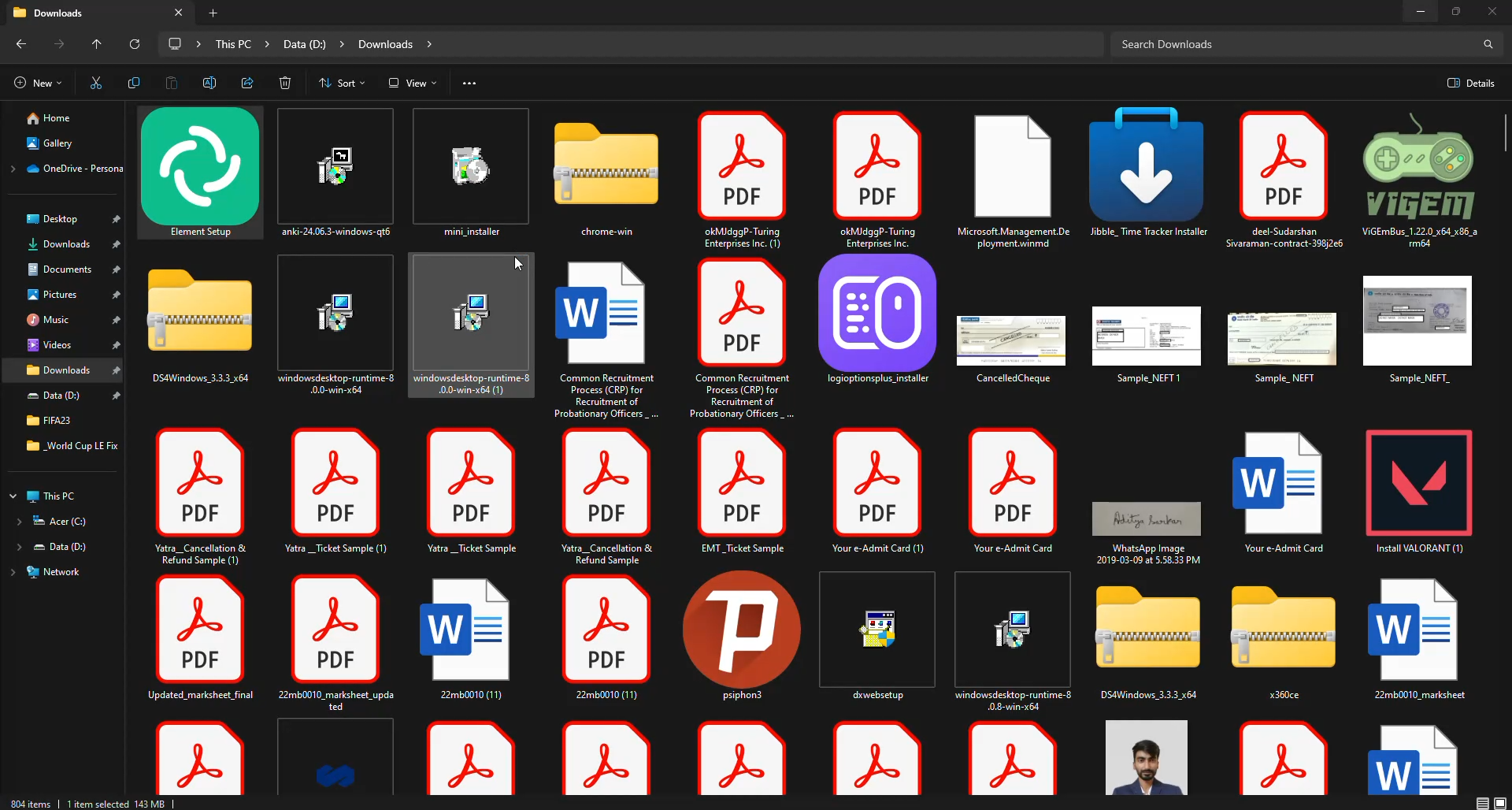 The height and width of the screenshot is (810, 1512). Describe the element at coordinates (1424, 639) in the screenshot. I see `file` at that location.